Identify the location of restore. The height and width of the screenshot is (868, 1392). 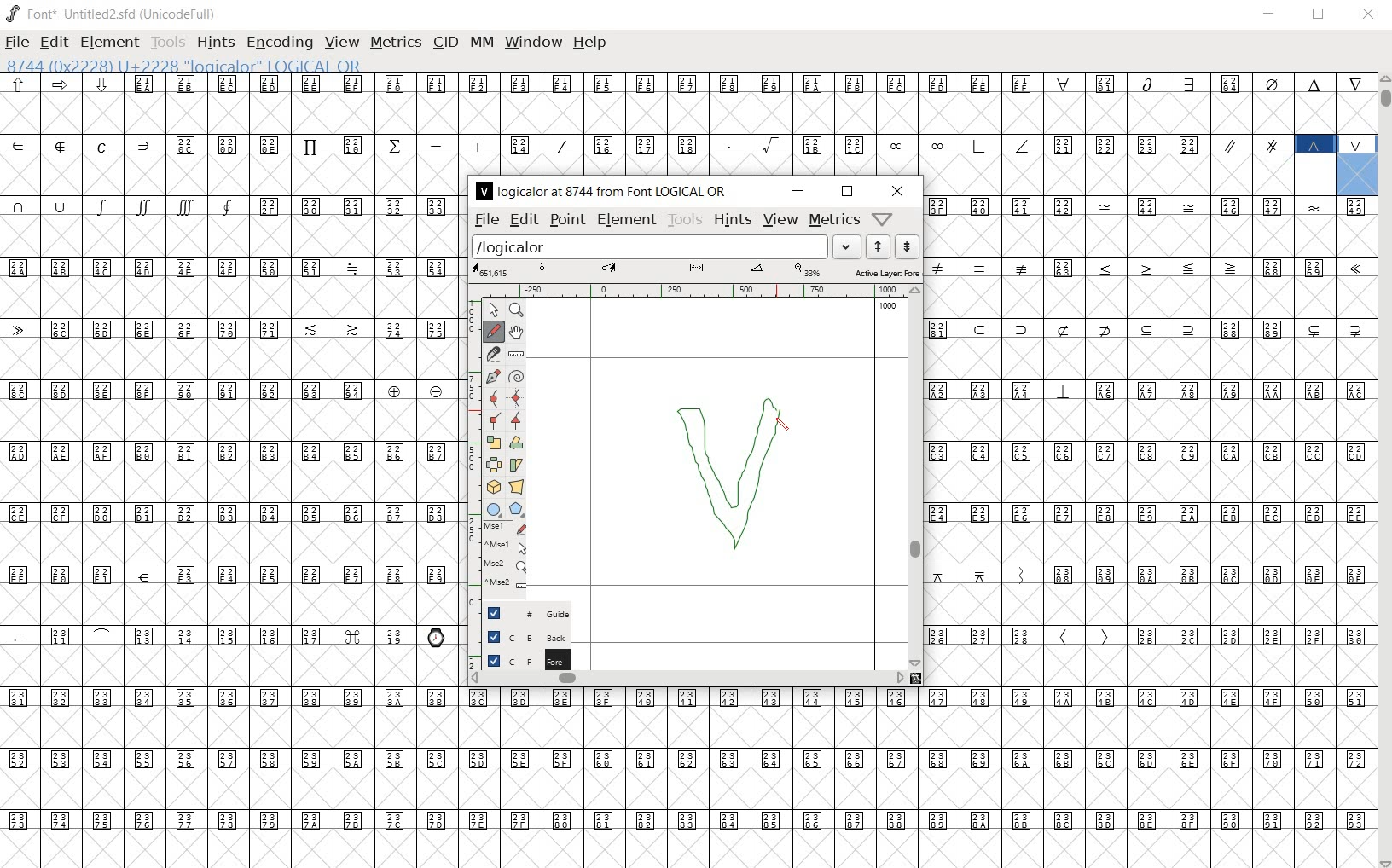
(847, 192).